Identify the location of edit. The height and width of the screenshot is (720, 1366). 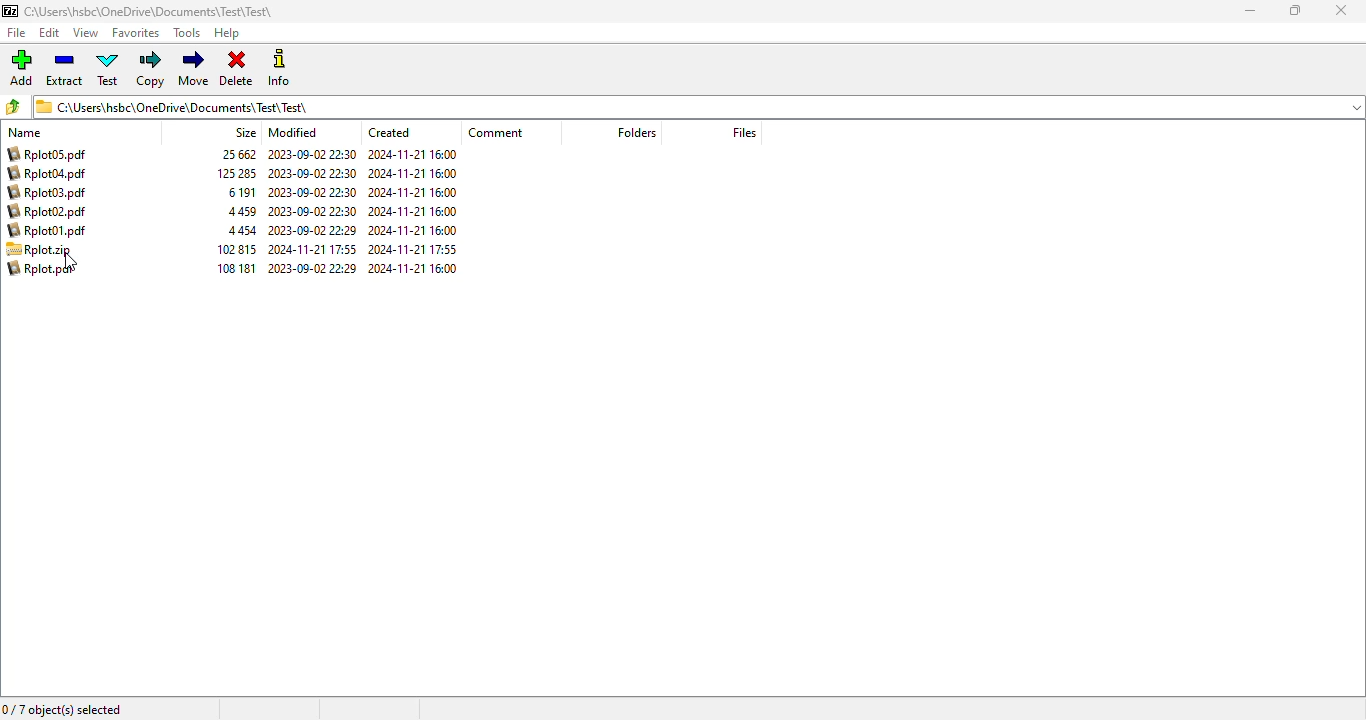
(50, 33).